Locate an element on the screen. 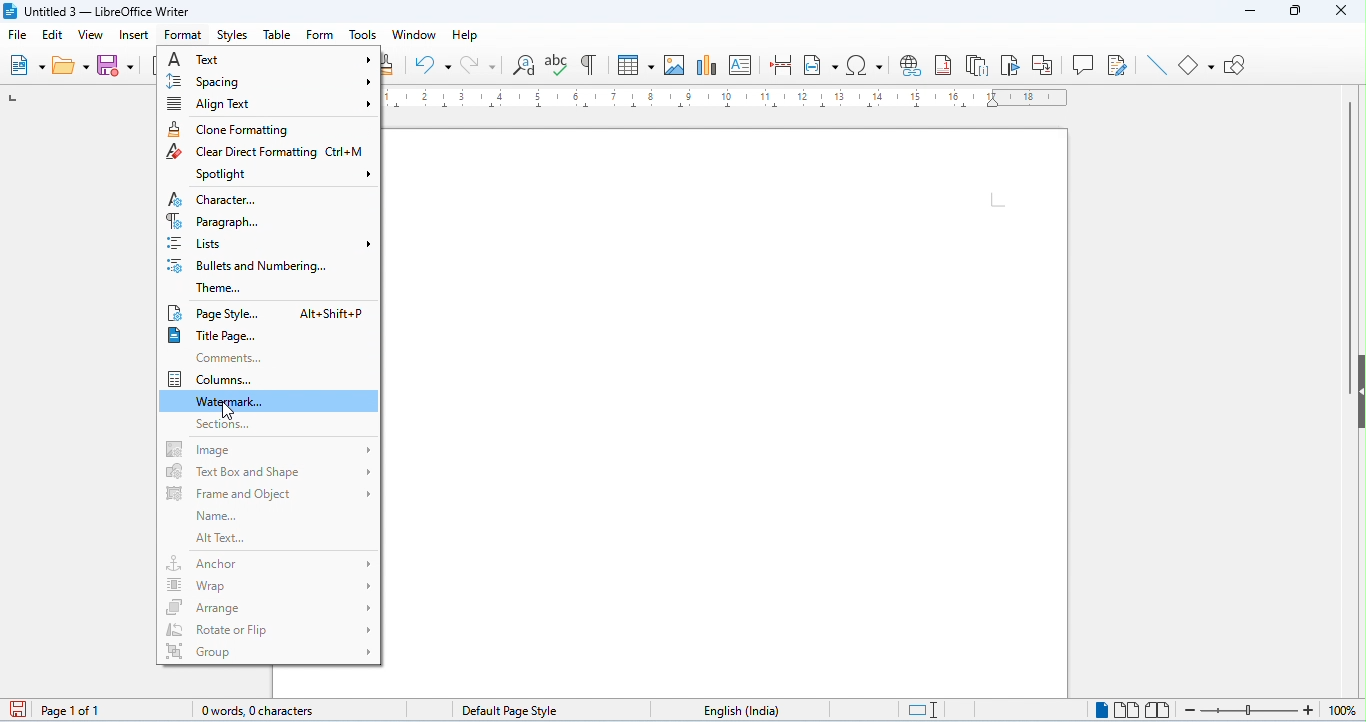 This screenshot has height=722, width=1366. tools is located at coordinates (365, 36).